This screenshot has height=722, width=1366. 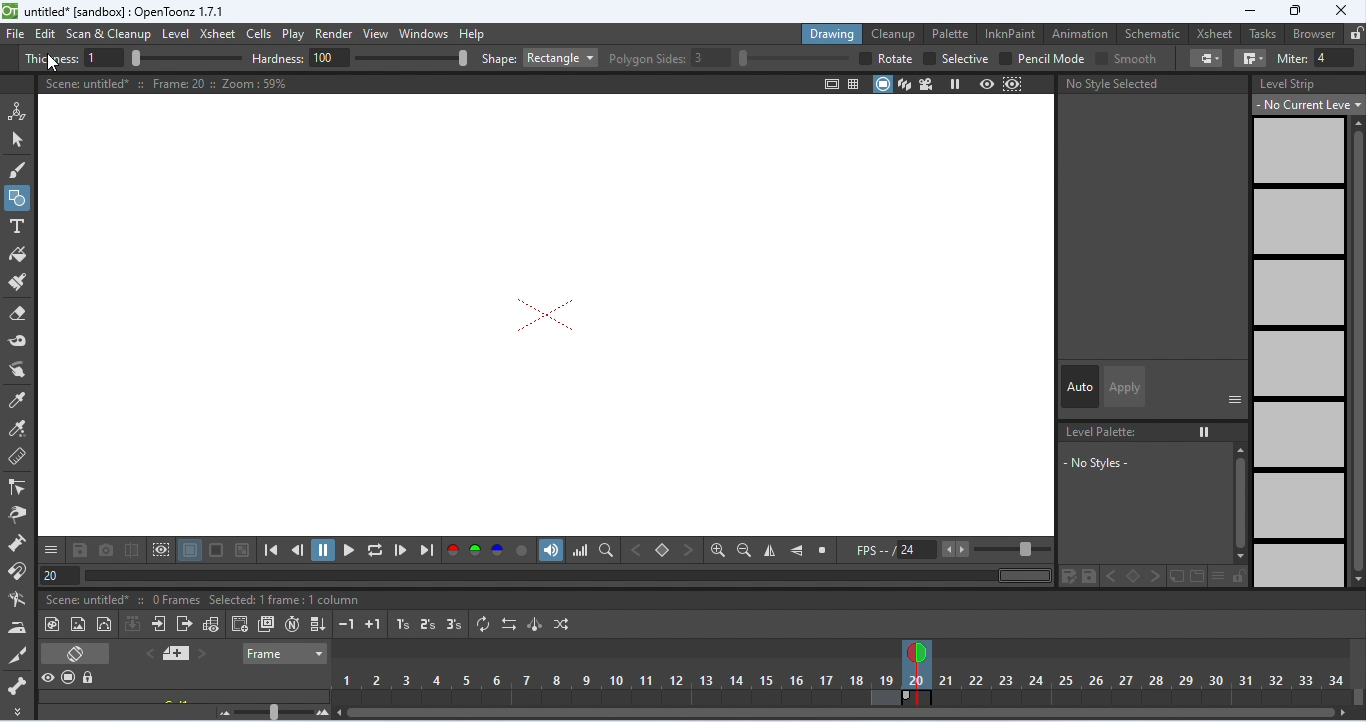 I want to click on schematic, so click(x=1152, y=35).